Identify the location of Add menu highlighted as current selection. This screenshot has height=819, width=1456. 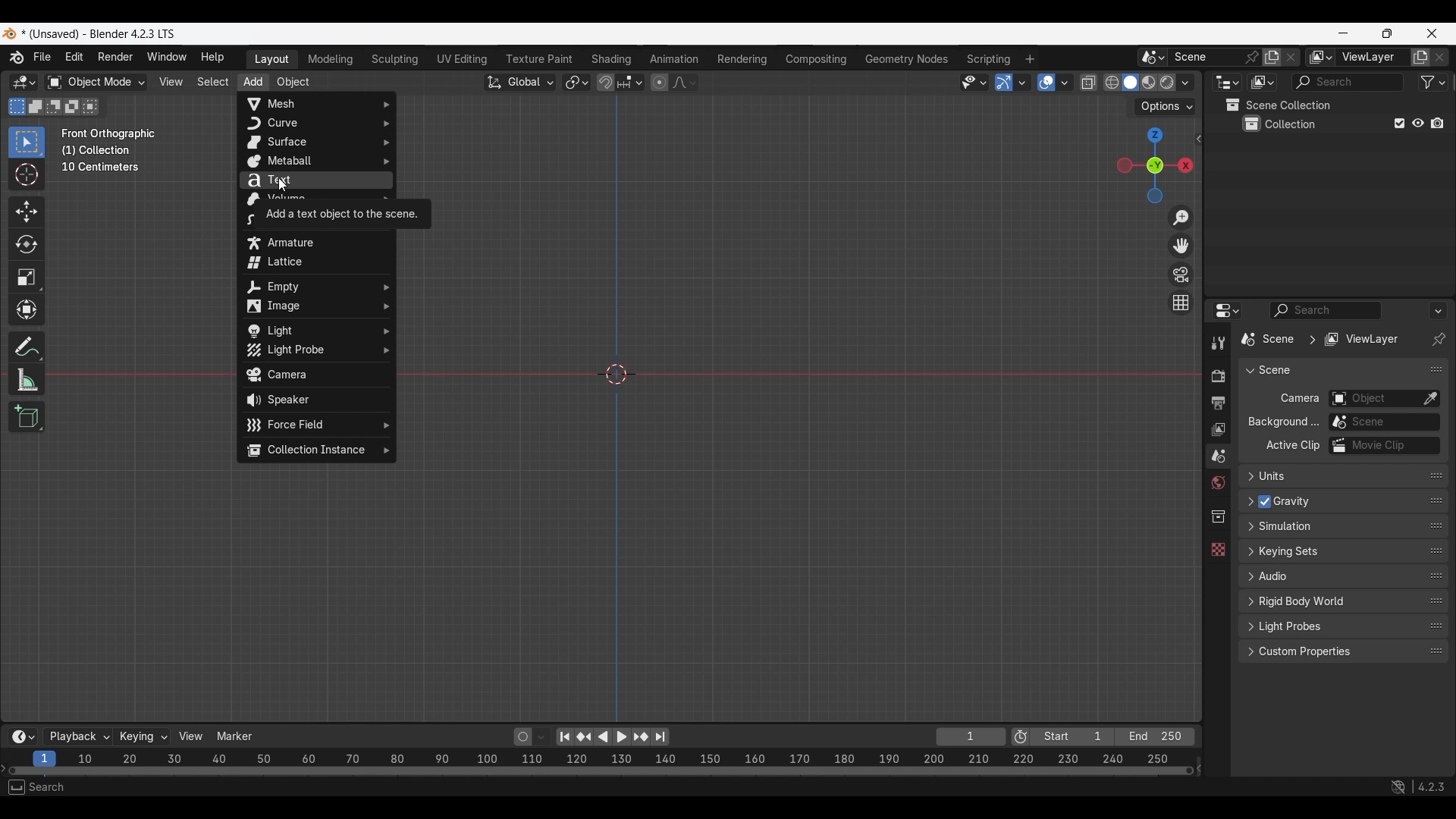
(253, 83).